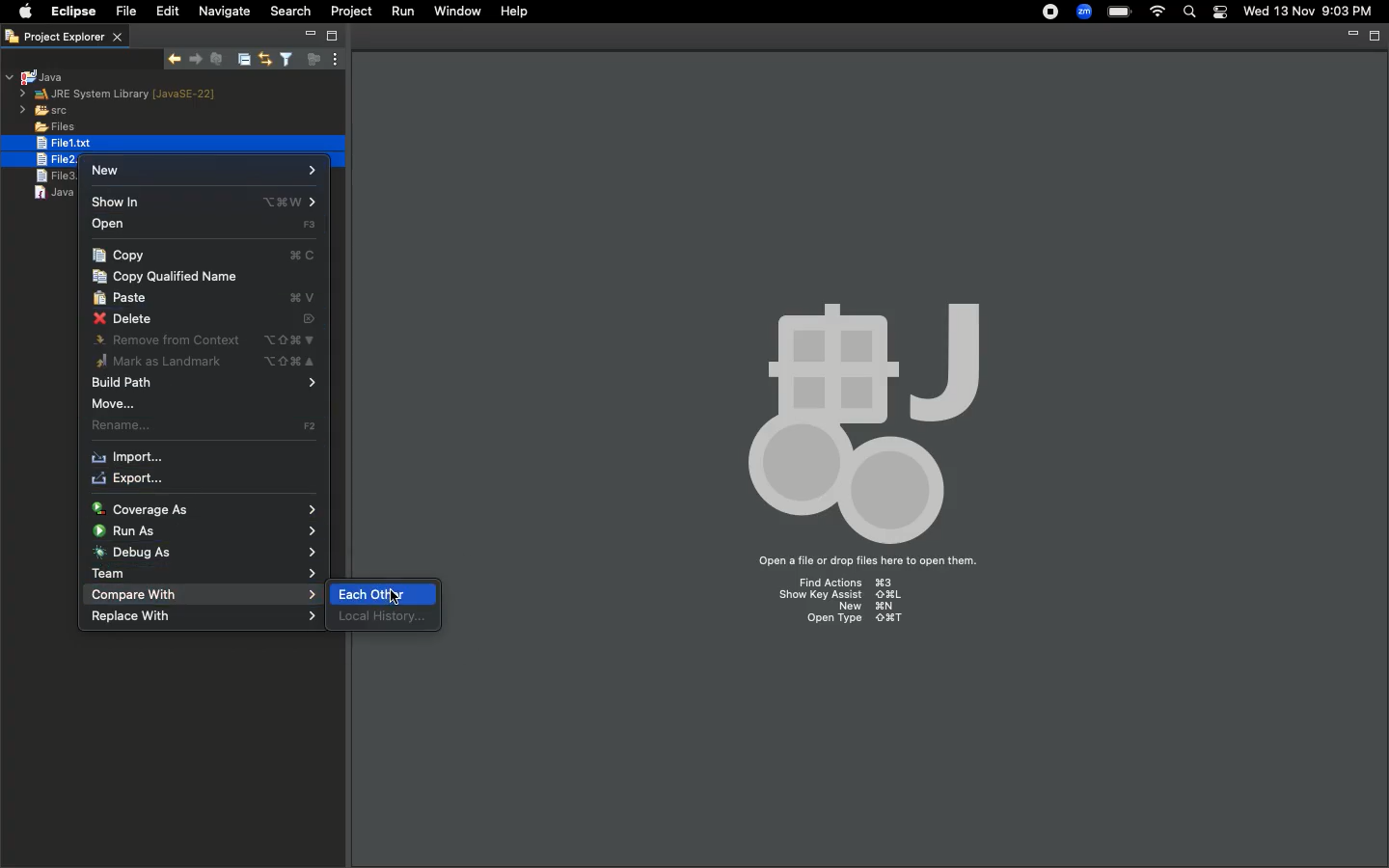  What do you see at coordinates (204, 424) in the screenshot?
I see `Rename` at bounding box center [204, 424].